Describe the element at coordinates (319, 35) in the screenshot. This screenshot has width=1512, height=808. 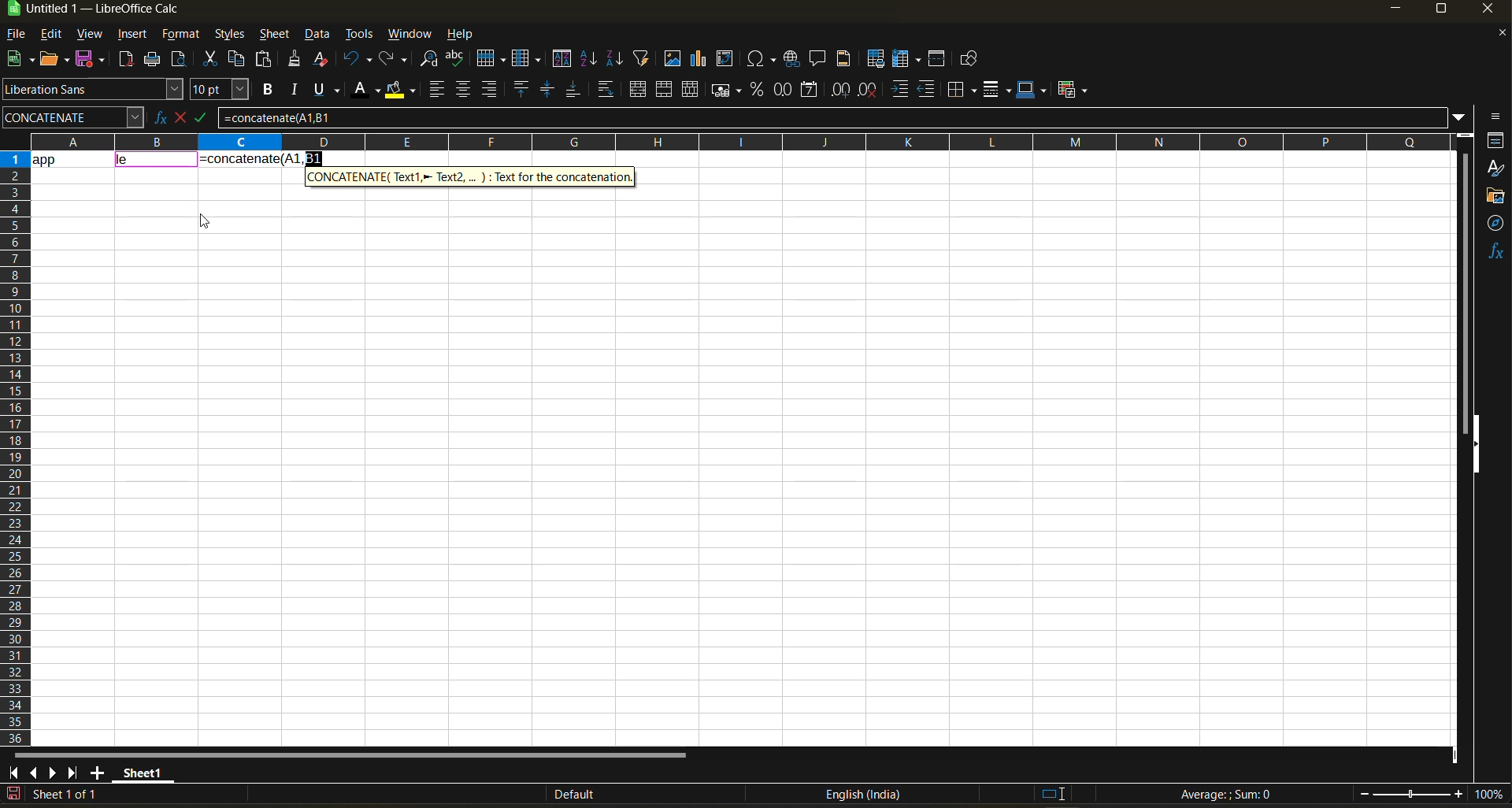
I see `data` at that location.